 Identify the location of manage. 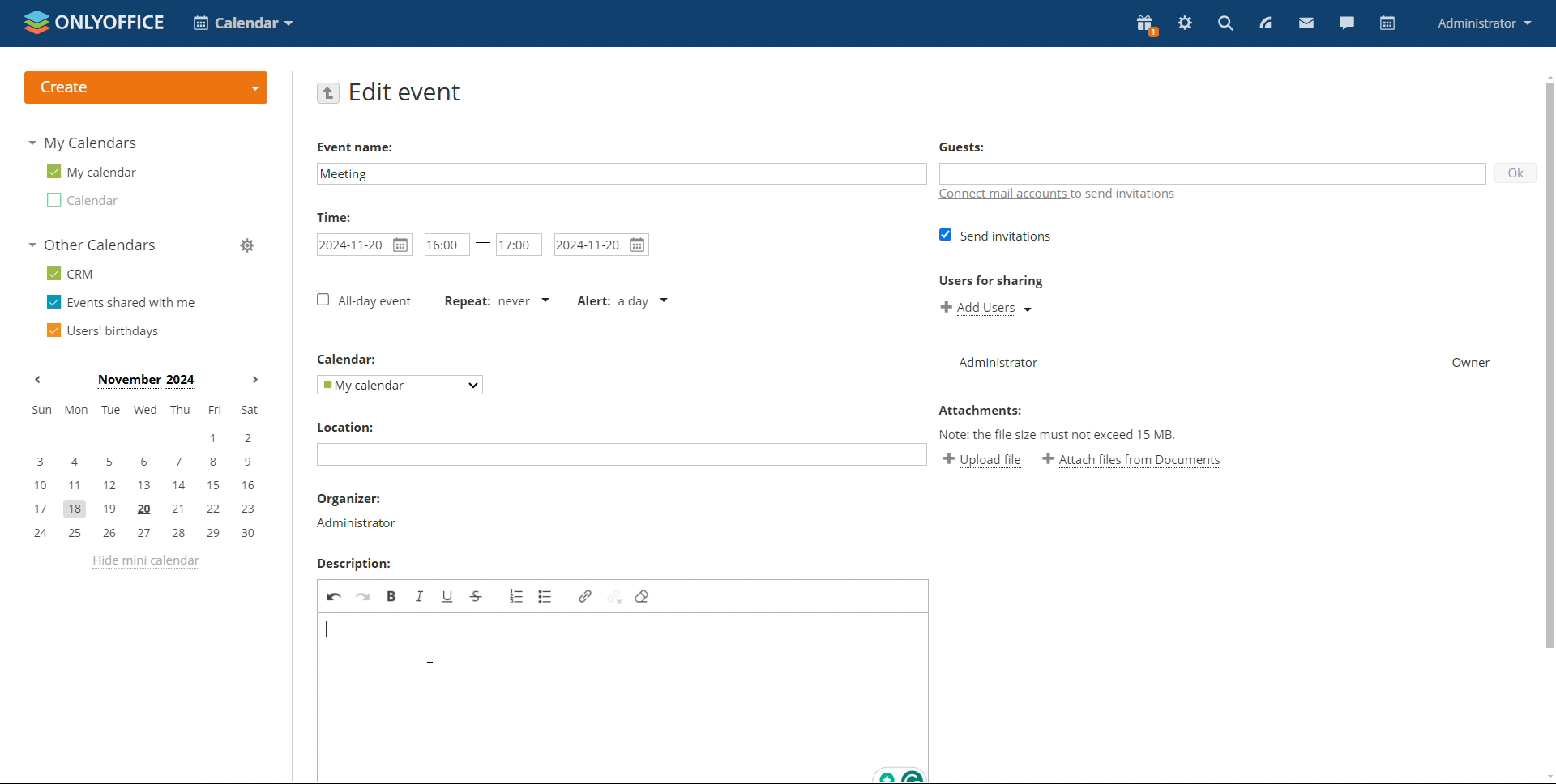
(247, 245).